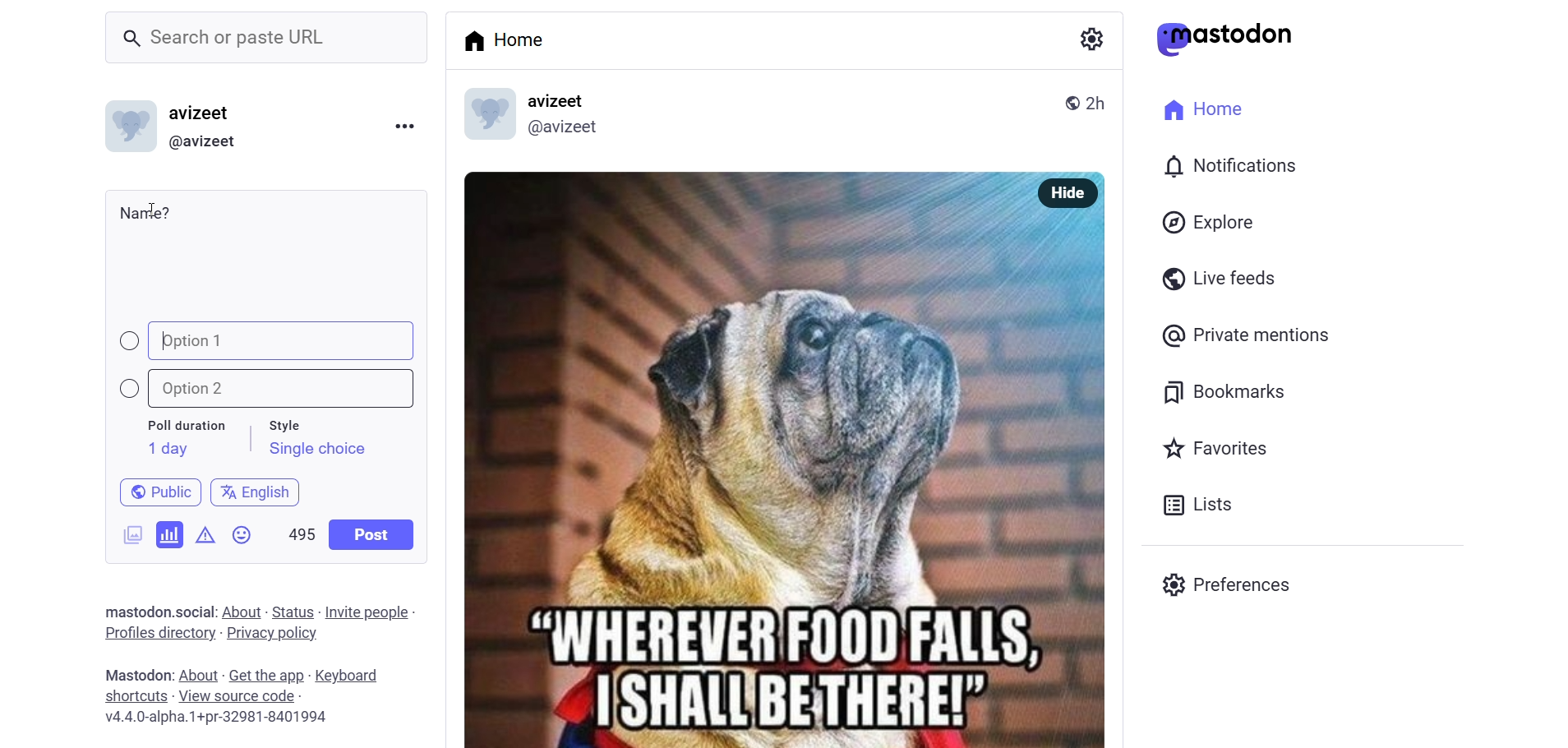 This screenshot has height=748, width=1568. Describe the element at coordinates (1066, 101) in the screenshot. I see `public` at that location.